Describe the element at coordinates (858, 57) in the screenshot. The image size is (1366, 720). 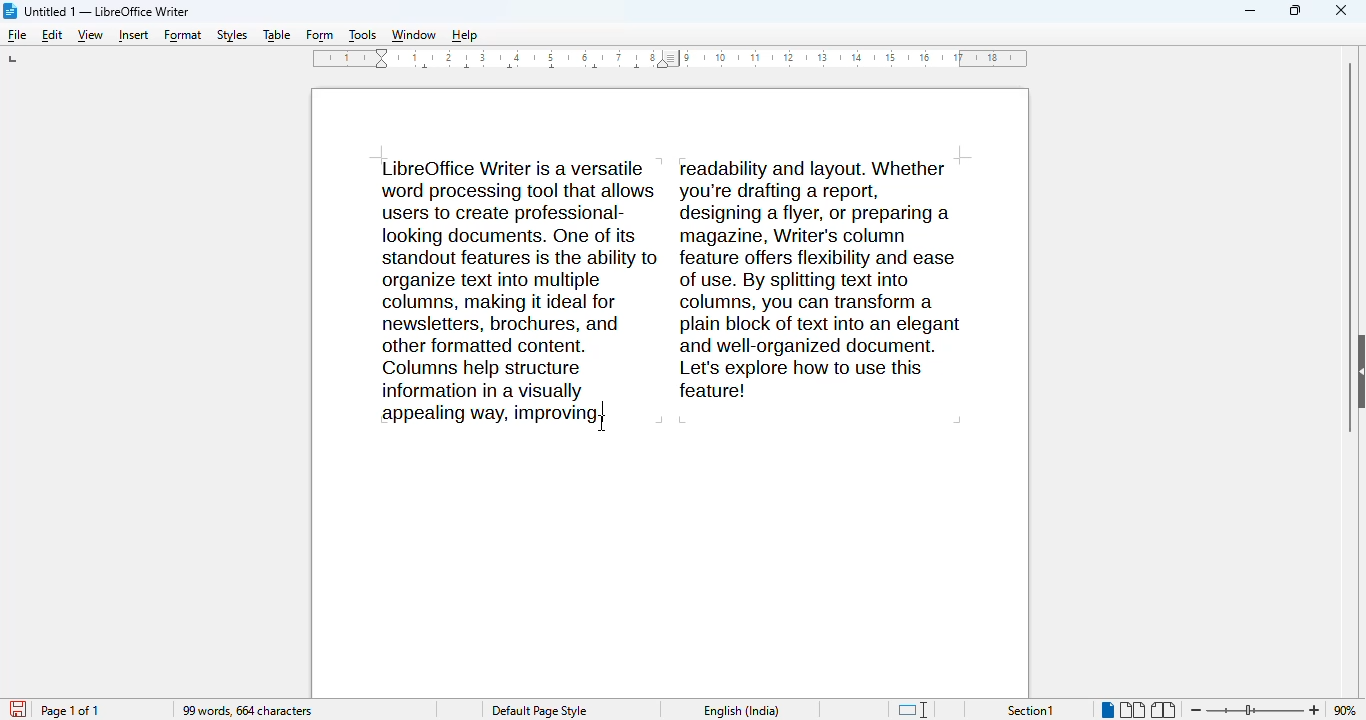
I see `10, 11, 12, 13, 14, 15, 16, 17, 18` at that location.